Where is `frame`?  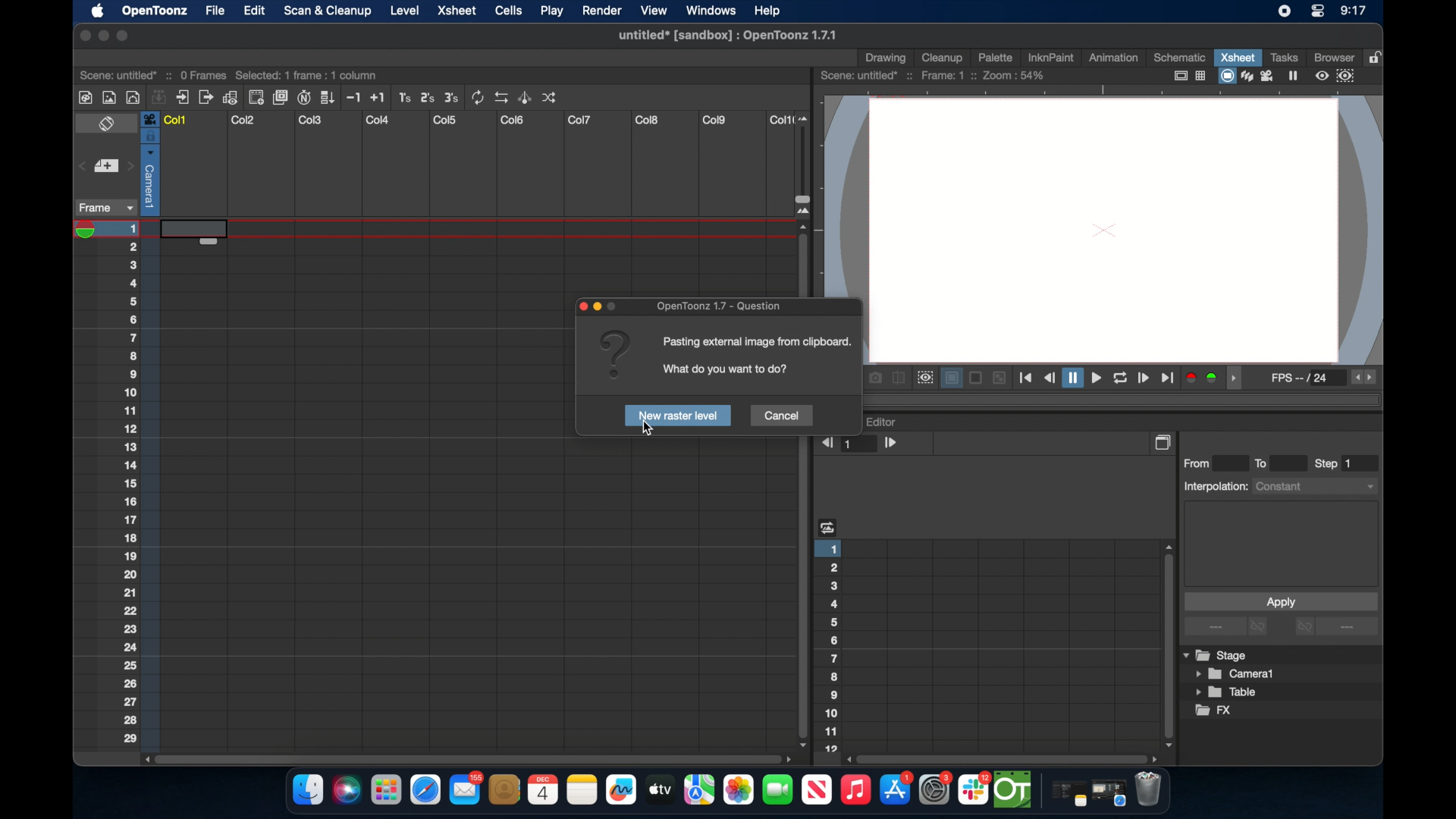
frame is located at coordinates (103, 208).